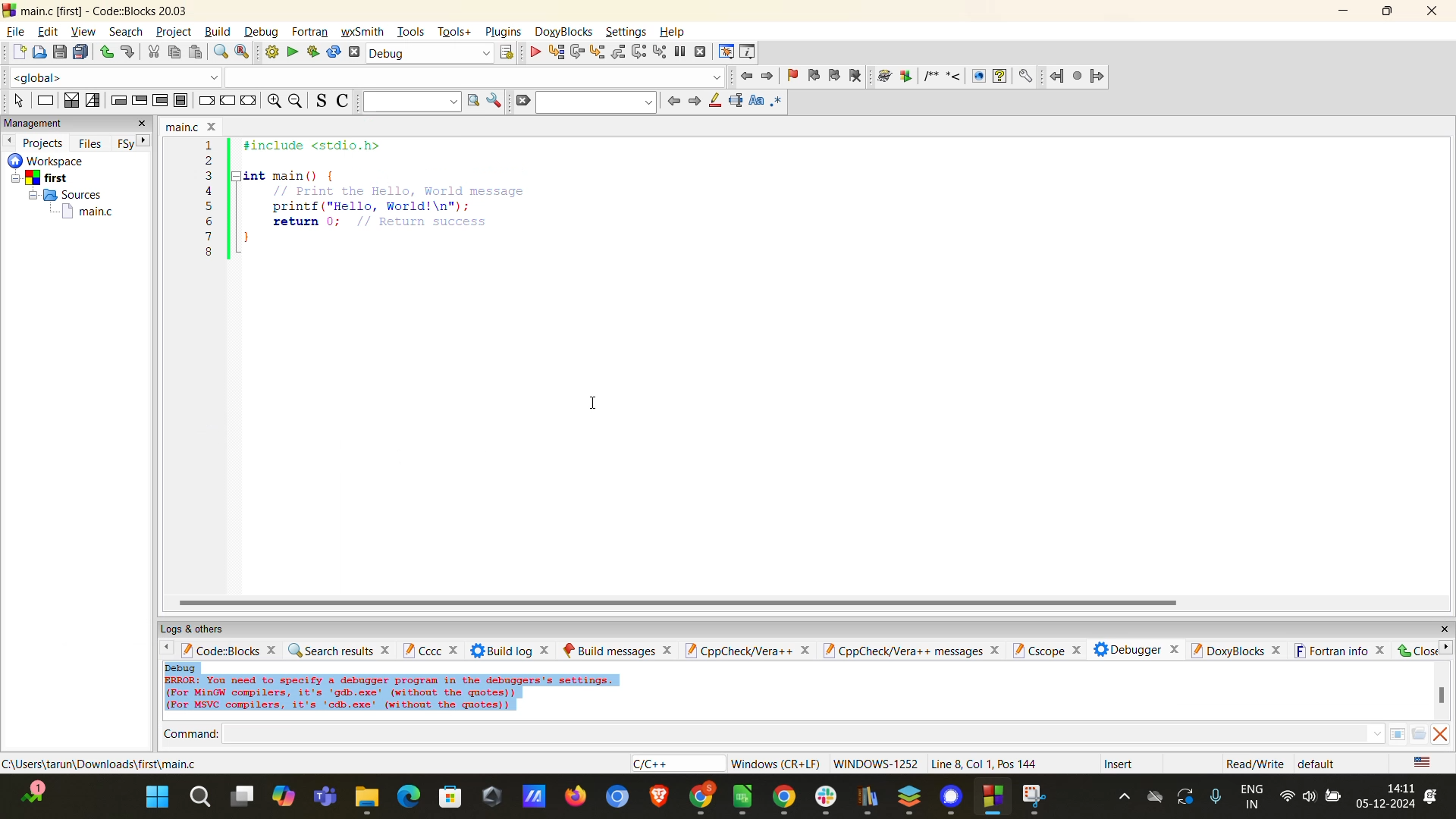 The image size is (1456, 819). Describe the element at coordinates (117, 102) in the screenshot. I see `entry condition loop` at that location.